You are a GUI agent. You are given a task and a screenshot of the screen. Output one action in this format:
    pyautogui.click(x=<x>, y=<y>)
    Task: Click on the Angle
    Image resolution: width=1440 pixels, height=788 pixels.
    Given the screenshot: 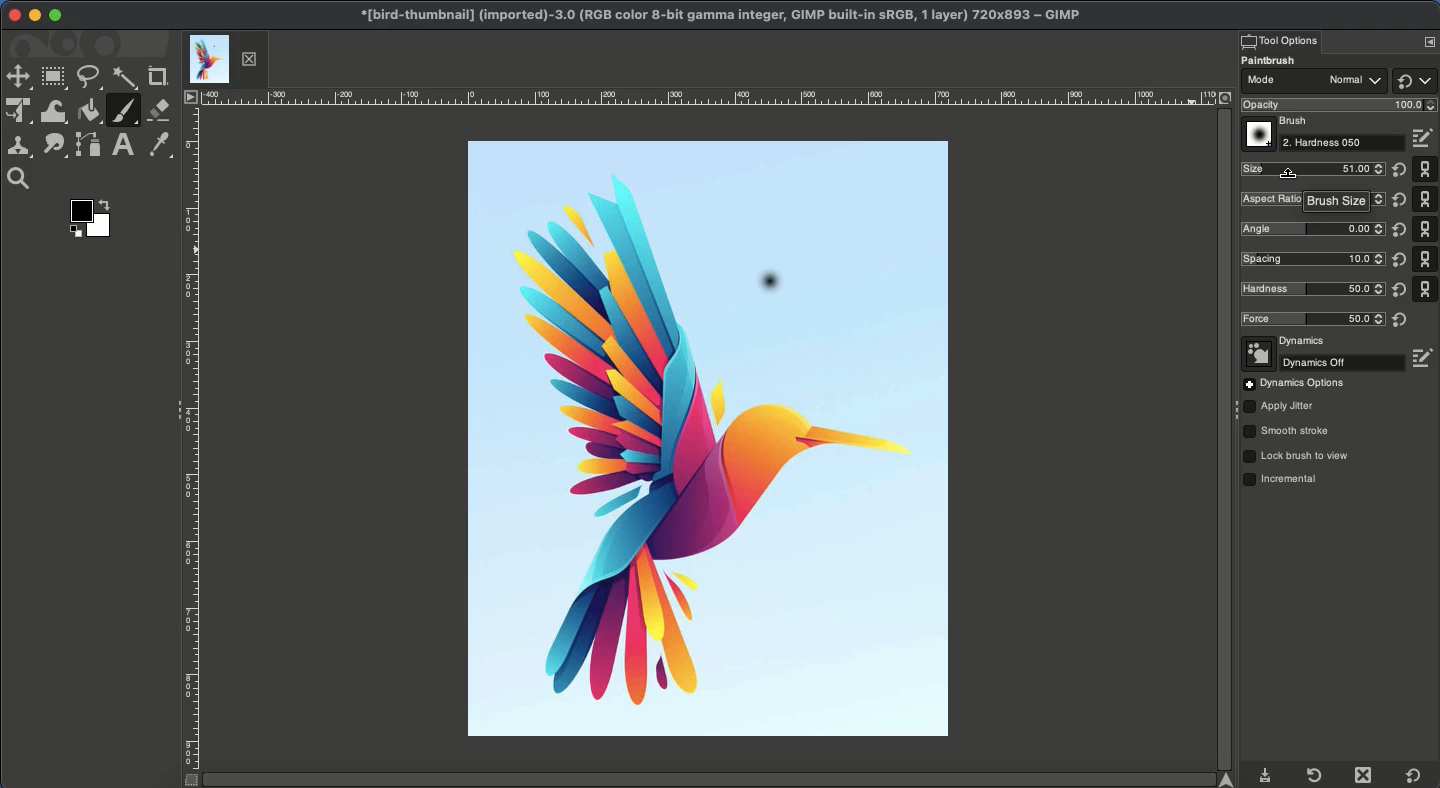 What is the action you would take?
    pyautogui.click(x=1311, y=228)
    